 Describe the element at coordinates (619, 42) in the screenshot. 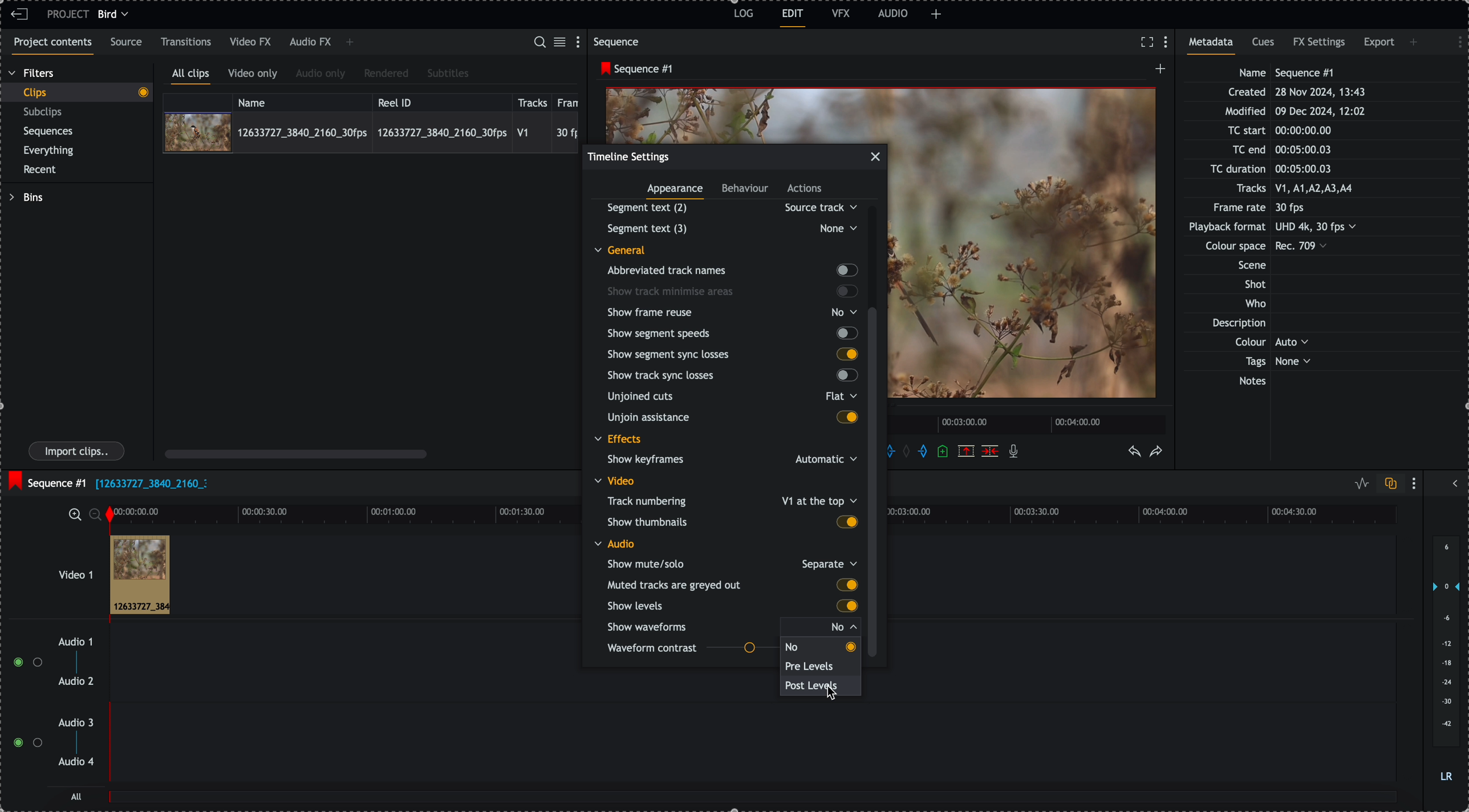

I see `sequence` at that location.